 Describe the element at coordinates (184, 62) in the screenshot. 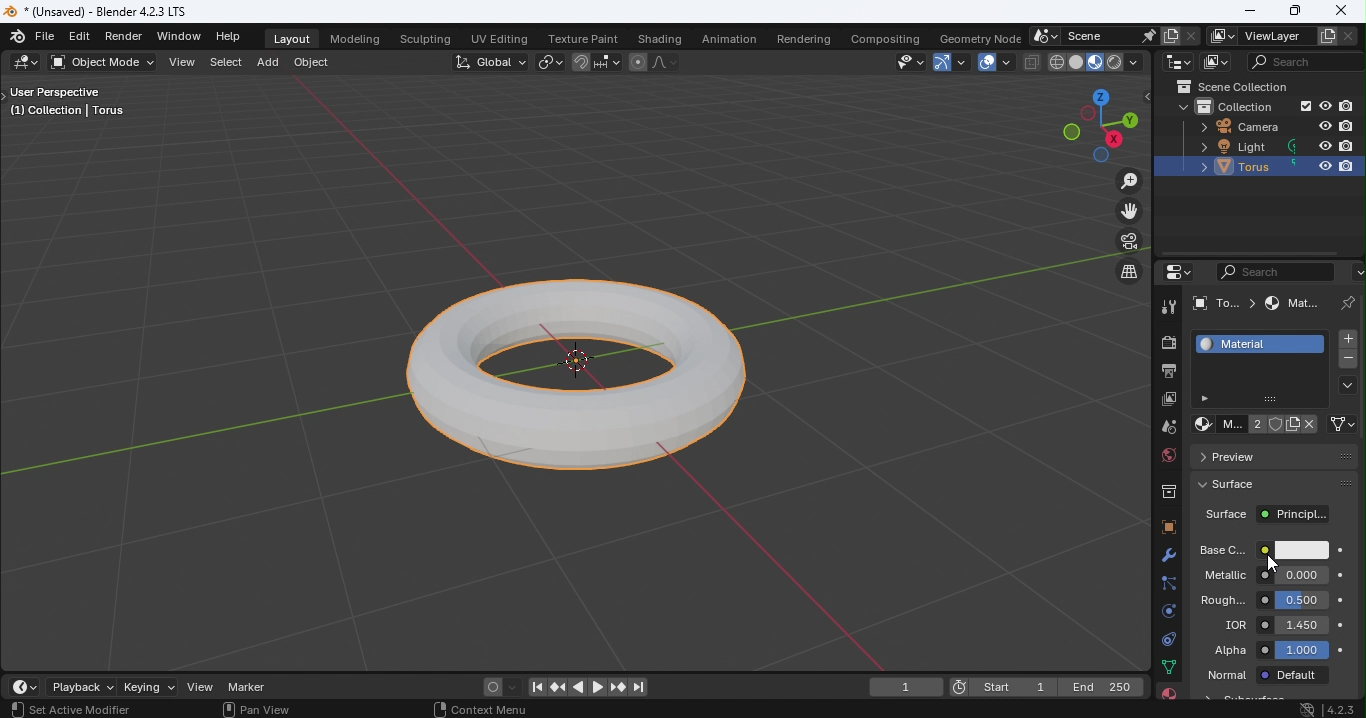

I see `View` at that location.